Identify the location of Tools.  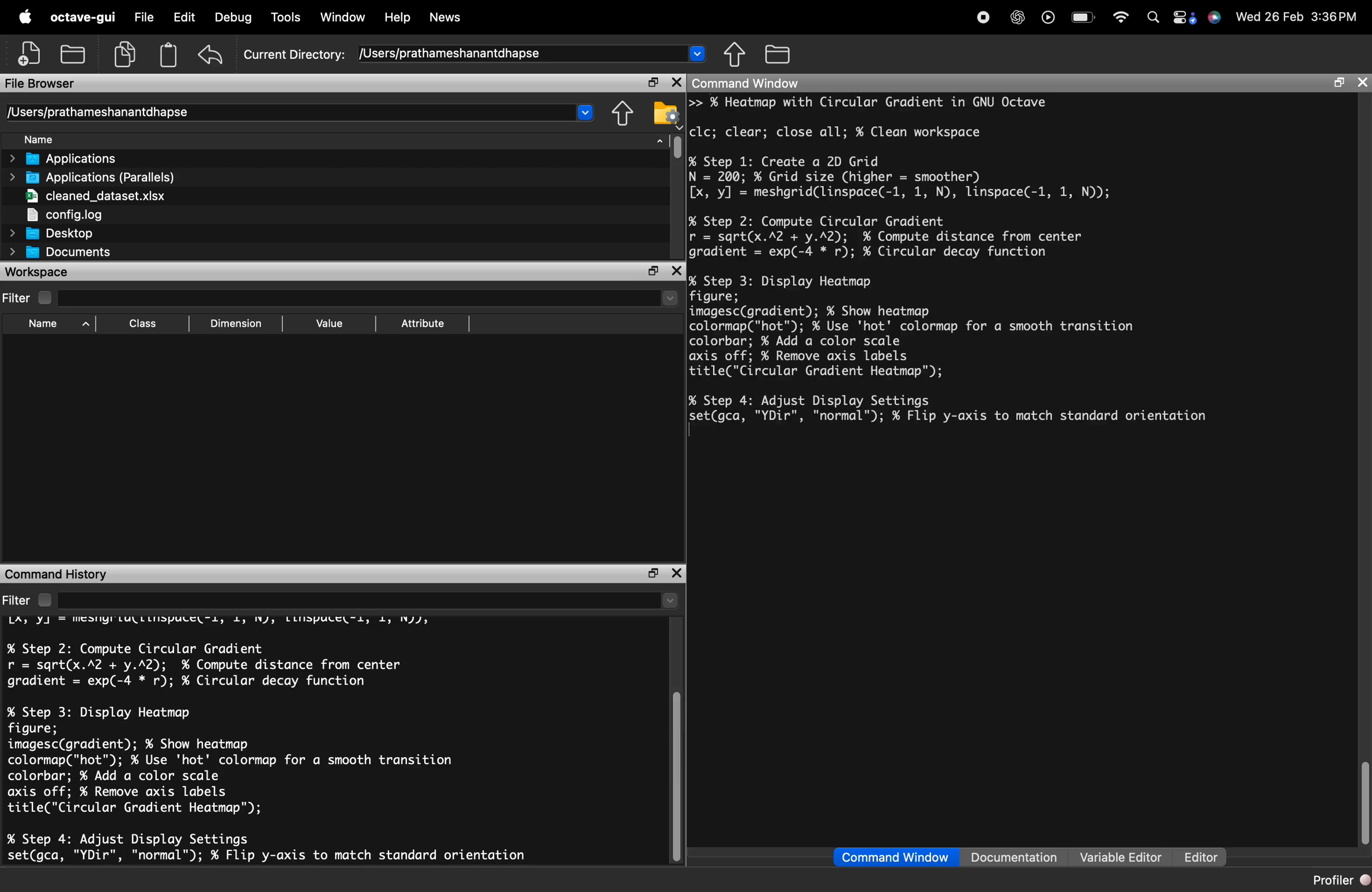
(285, 18).